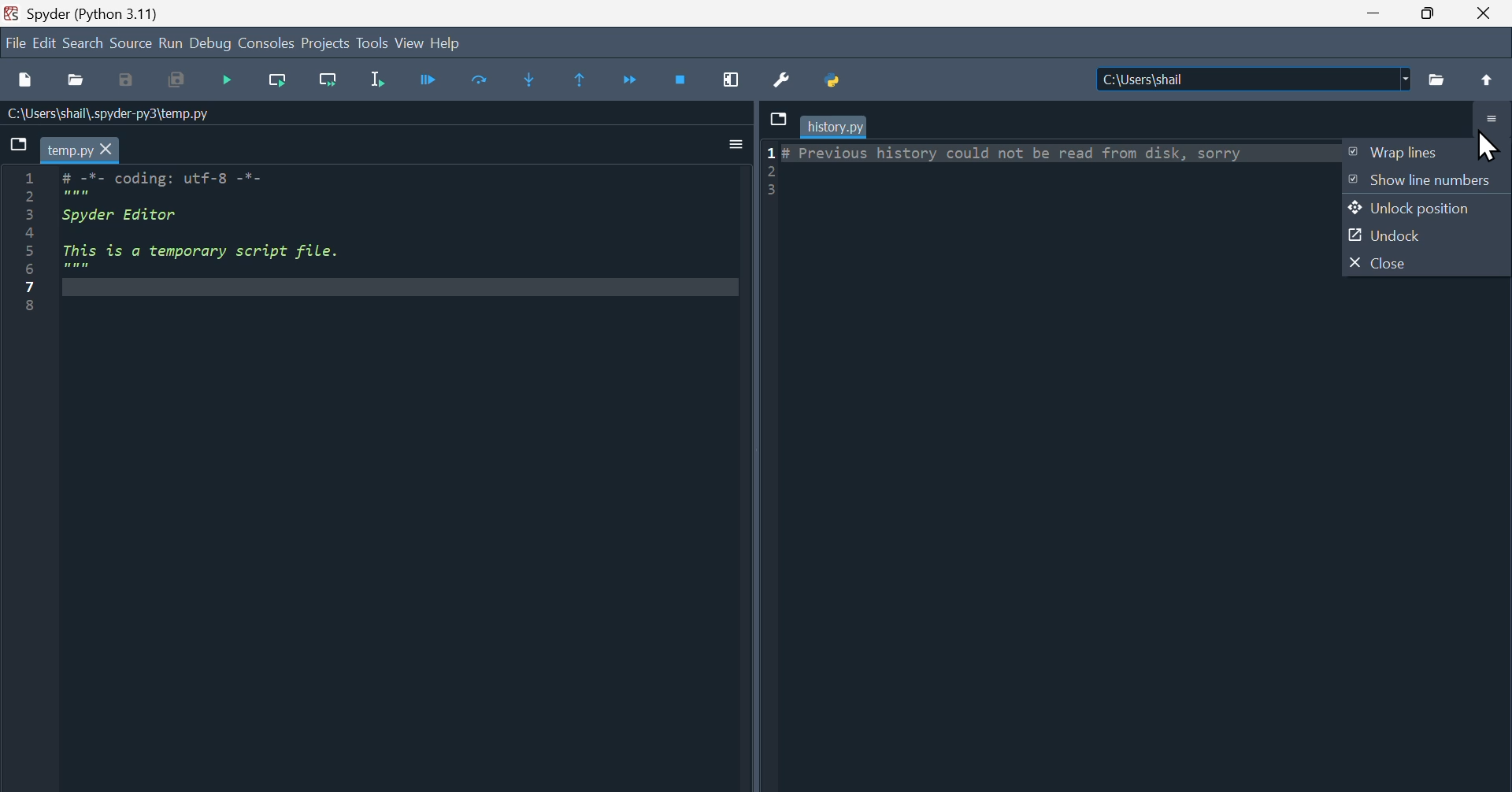  What do you see at coordinates (132, 82) in the screenshot?
I see `Save as` at bounding box center [132, 82].